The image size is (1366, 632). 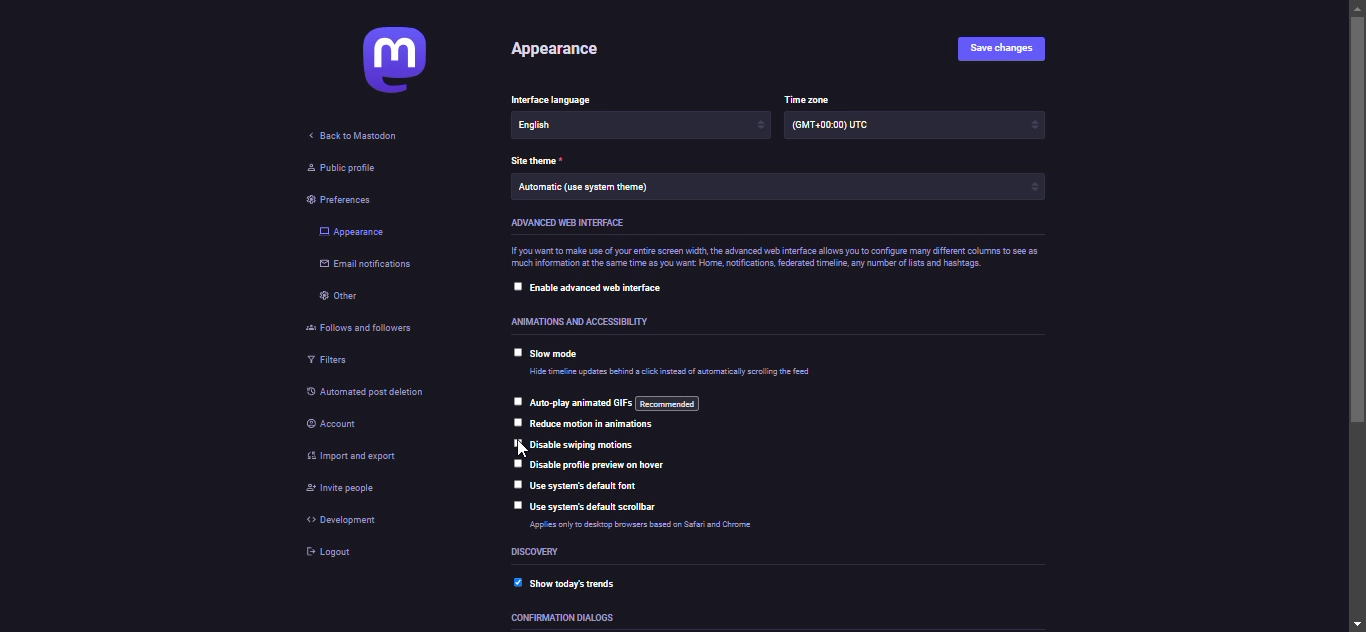 I want to click on appearance, so click(x=352, y=231).